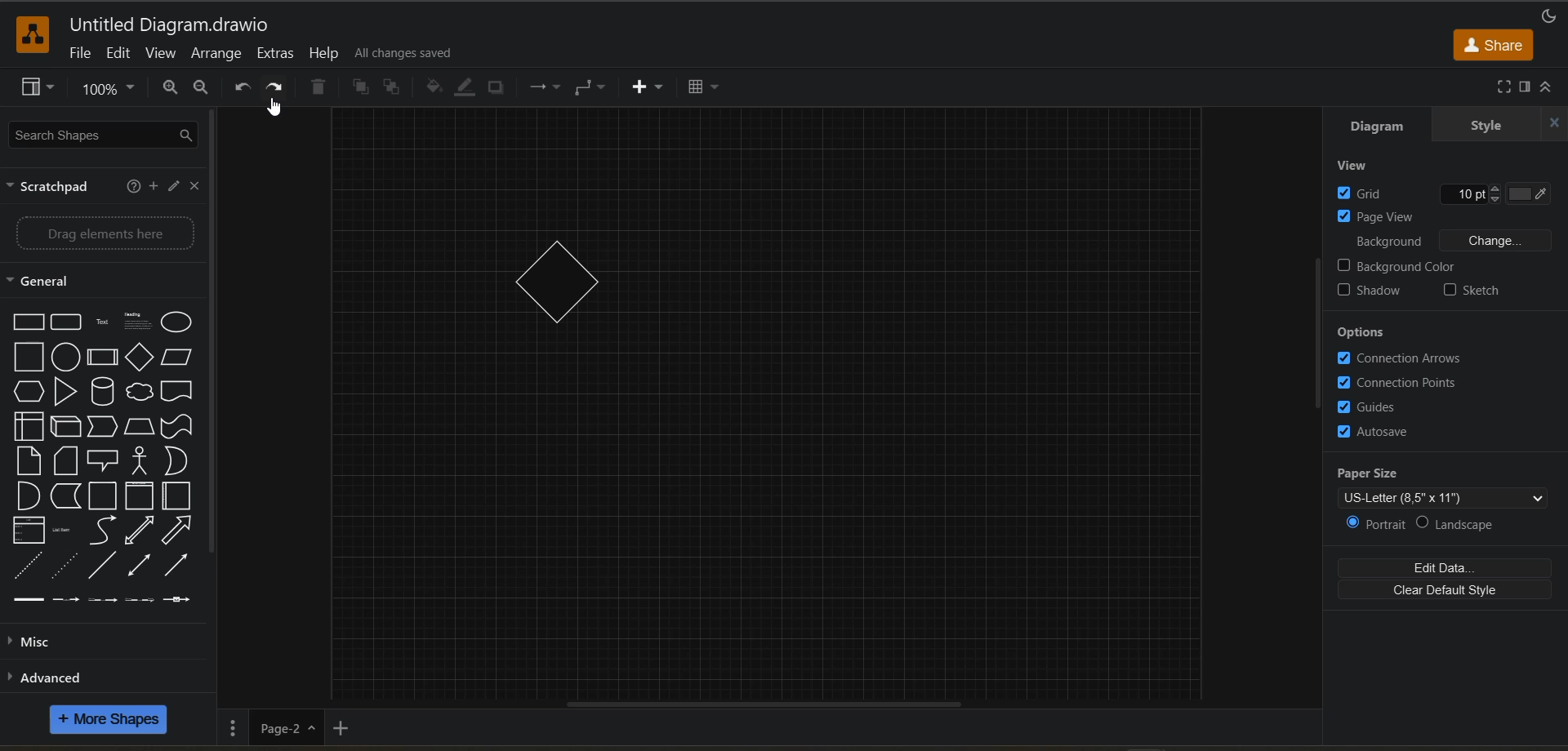 Image resolution: width=1568 pixels, height=751 pixels. What do you see at coordinates (65, 566) in the screenshot?
I see `dotted line` at bounding box center [65, 566].